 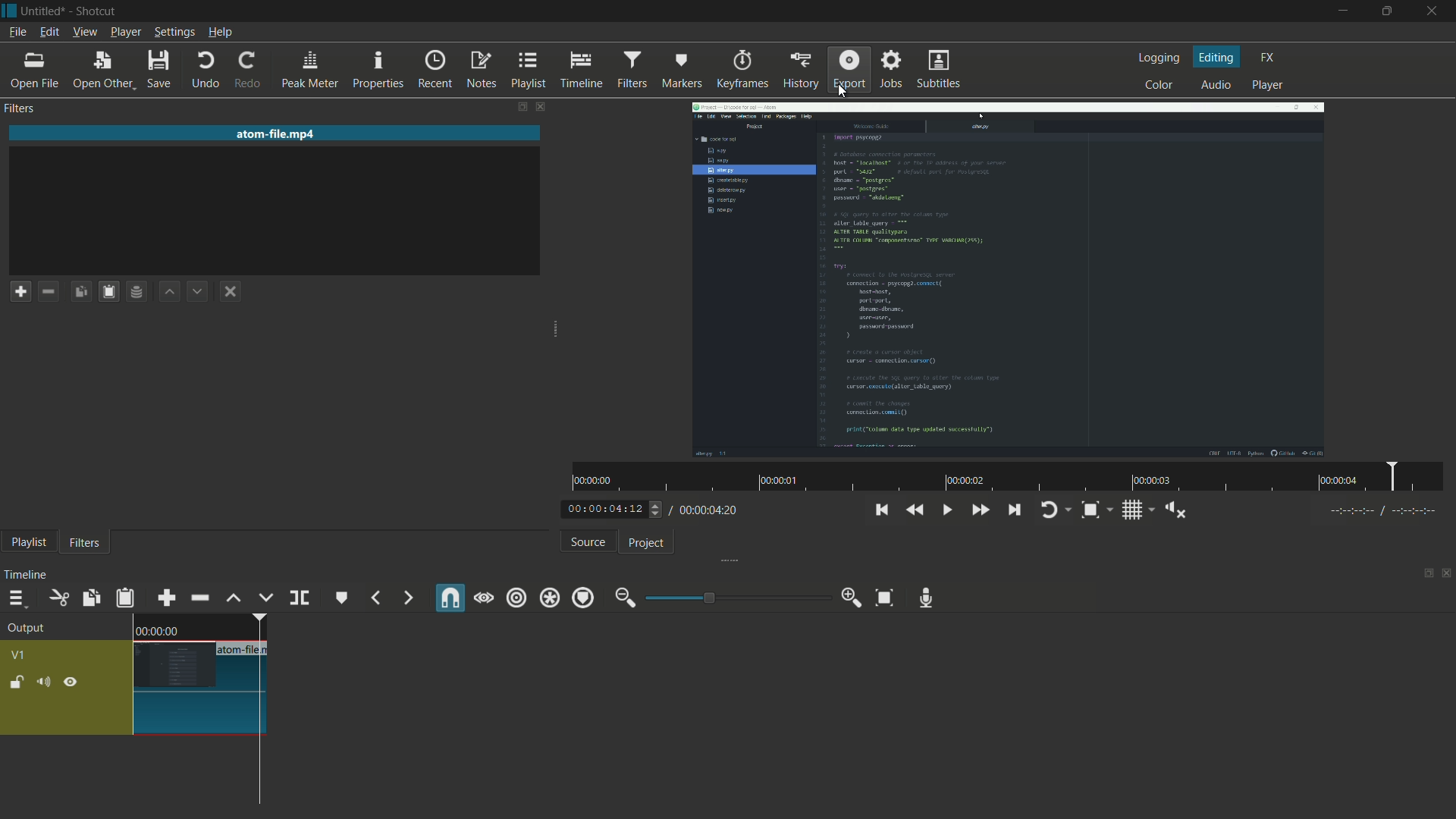 What do you see at coordinates (451, 598) in the screenshot?
I see `snap` at bounding box center [451, 598].